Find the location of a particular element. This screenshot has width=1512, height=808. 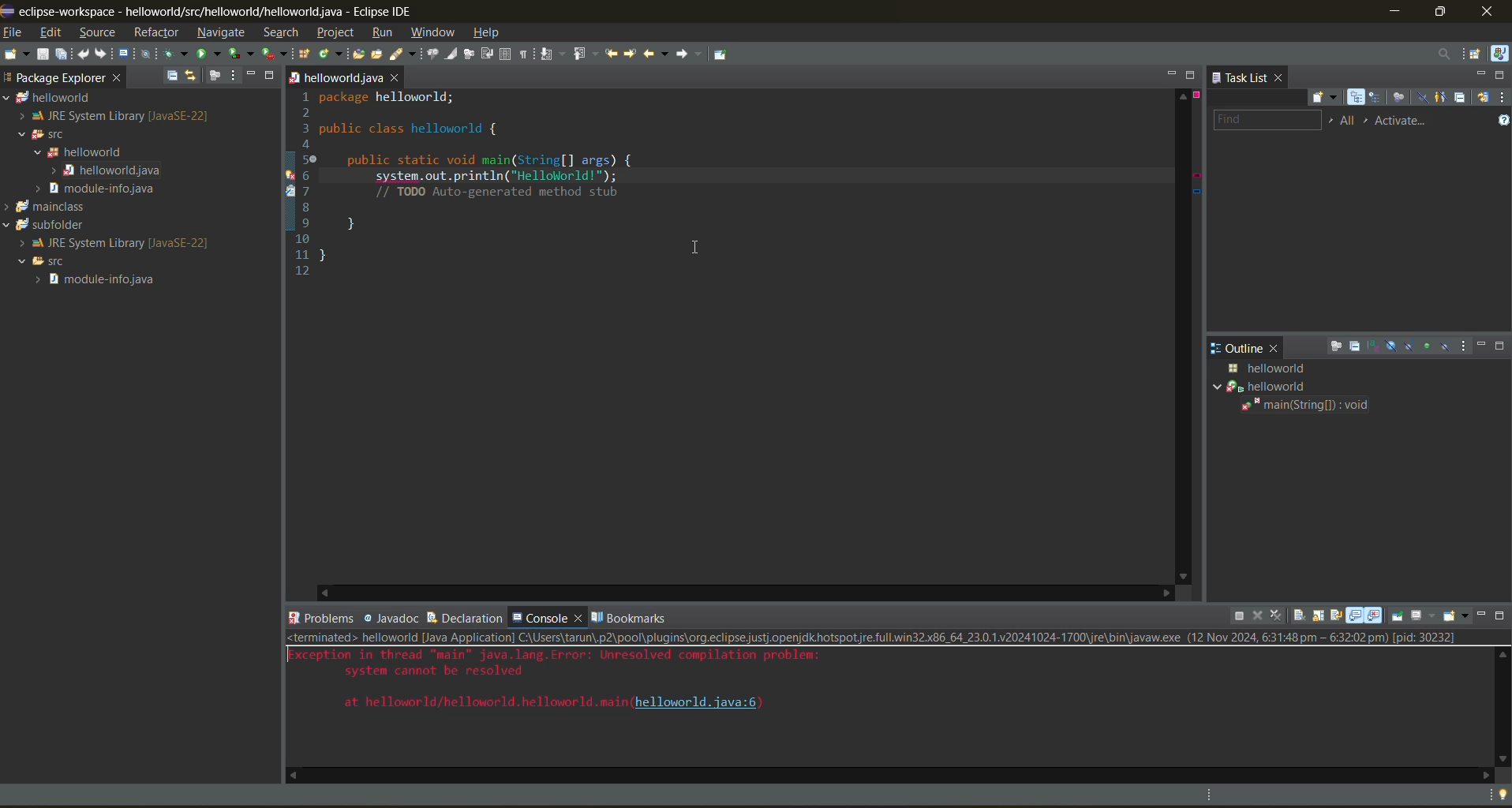

search is located at coordinates (279, 32).